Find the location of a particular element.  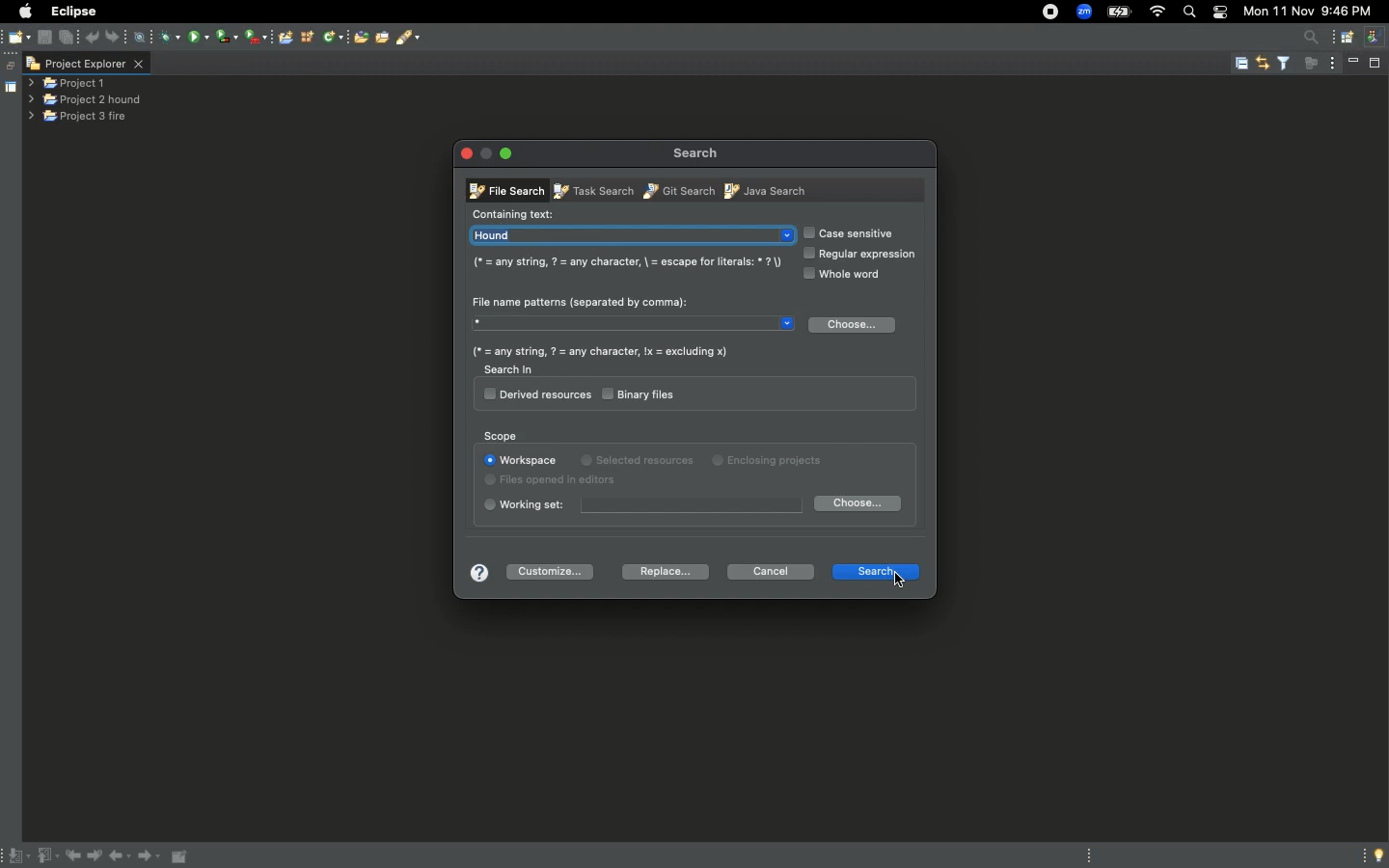

access commands and other items is located at coordinates (1314, 37).